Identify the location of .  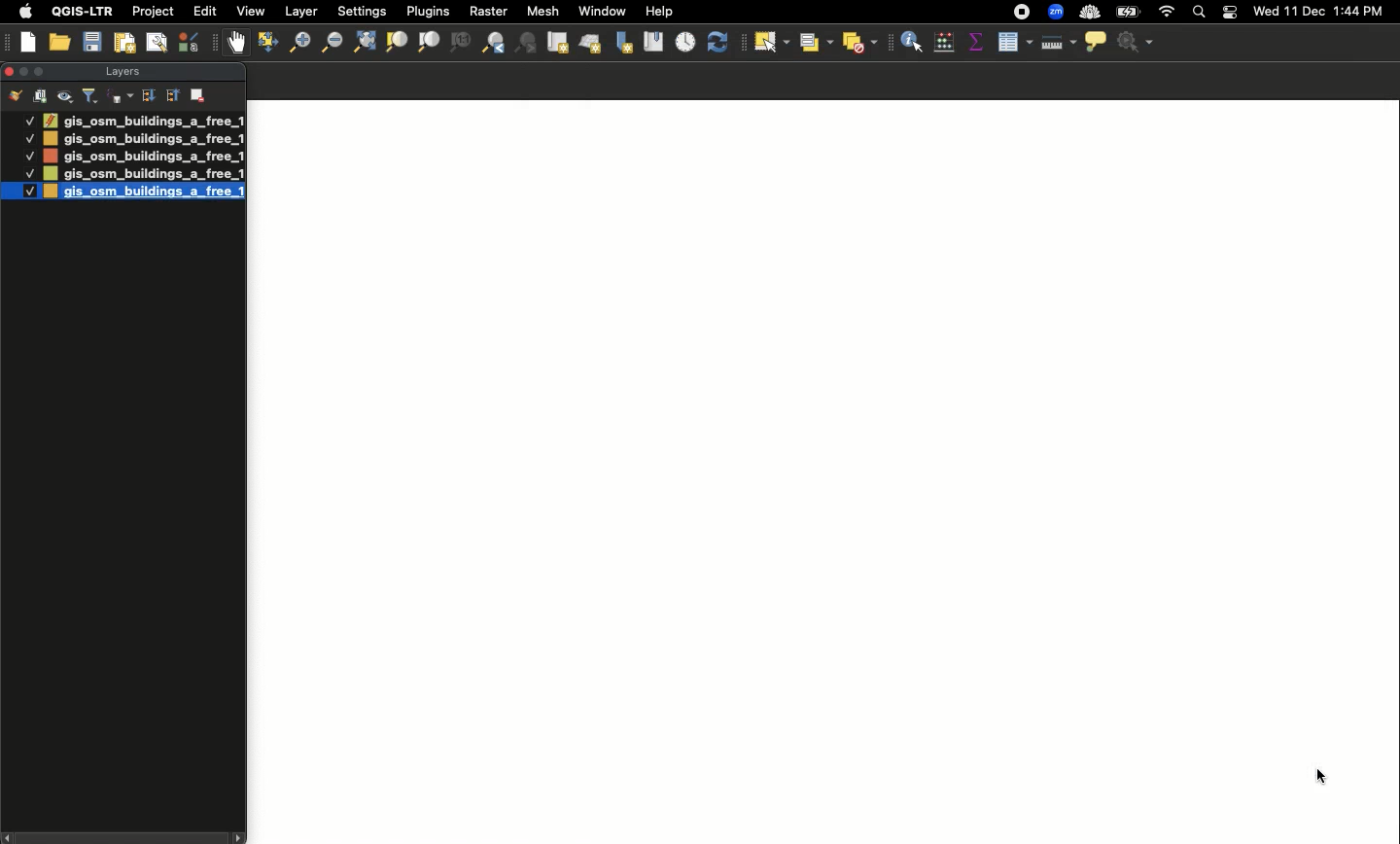
(1056, 12).